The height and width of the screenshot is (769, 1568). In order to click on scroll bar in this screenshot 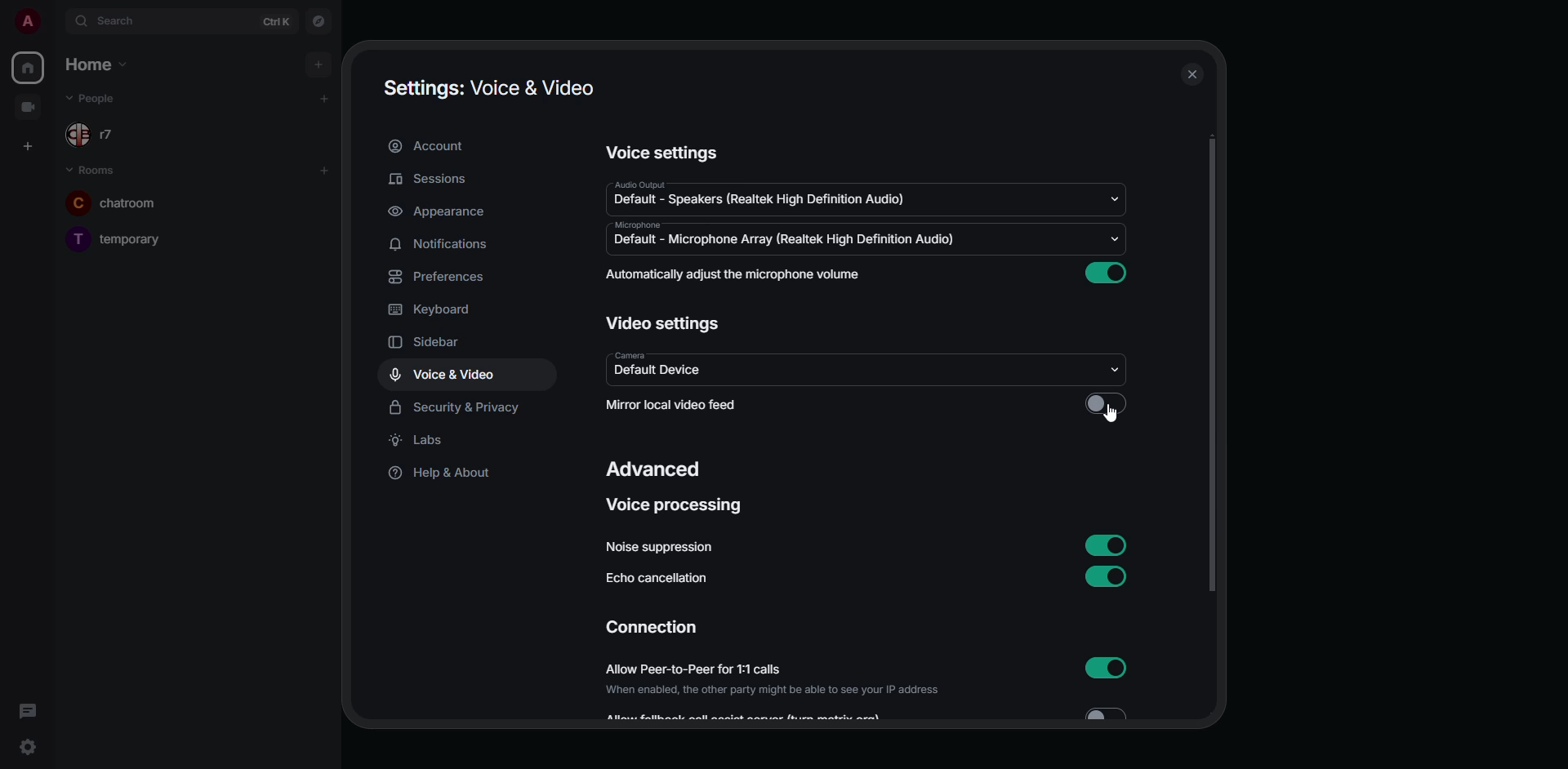, I will do `click(1211, 367)`.